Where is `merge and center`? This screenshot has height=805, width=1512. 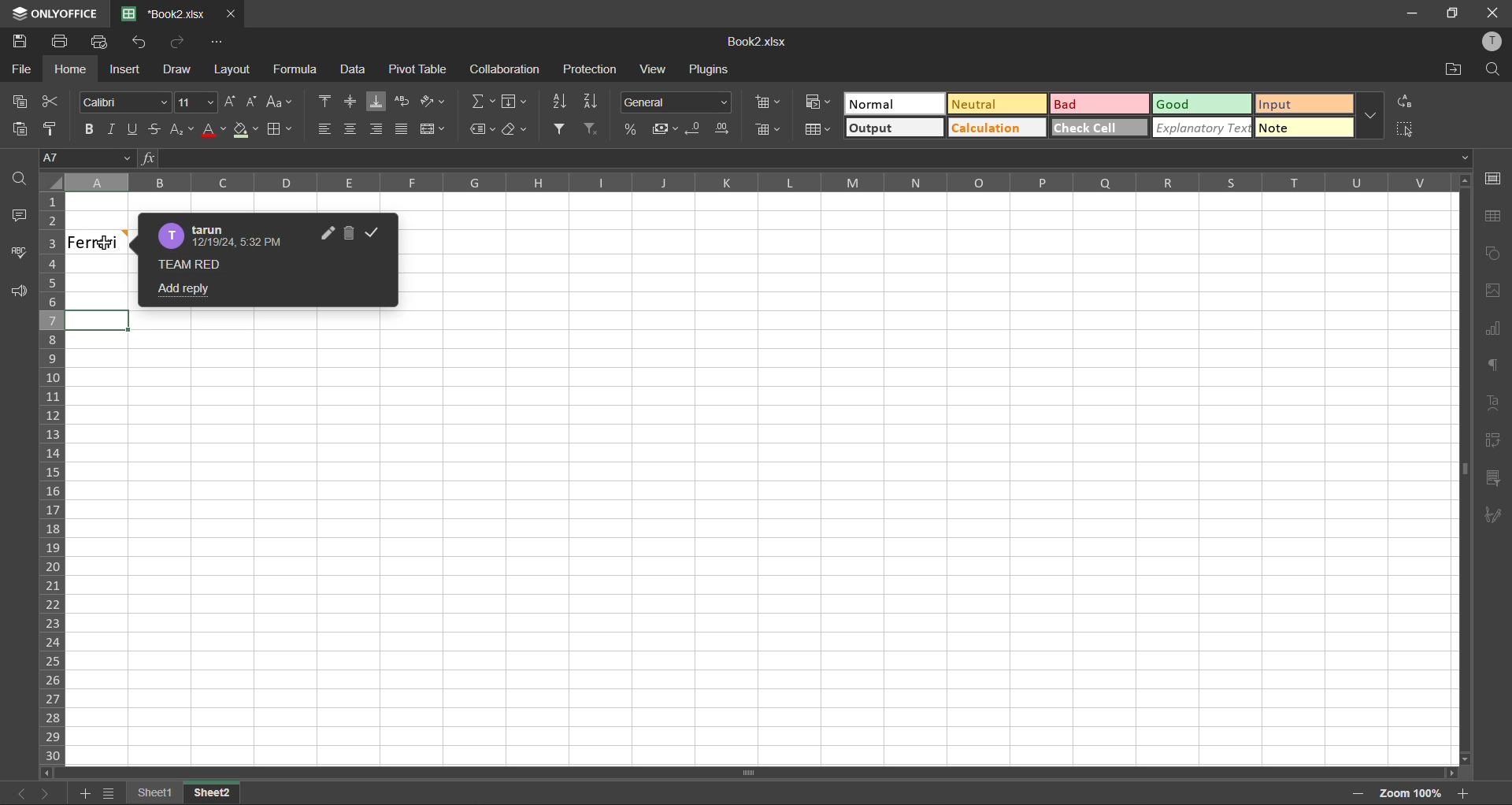 merge and center is located at coordinates (438, 131).